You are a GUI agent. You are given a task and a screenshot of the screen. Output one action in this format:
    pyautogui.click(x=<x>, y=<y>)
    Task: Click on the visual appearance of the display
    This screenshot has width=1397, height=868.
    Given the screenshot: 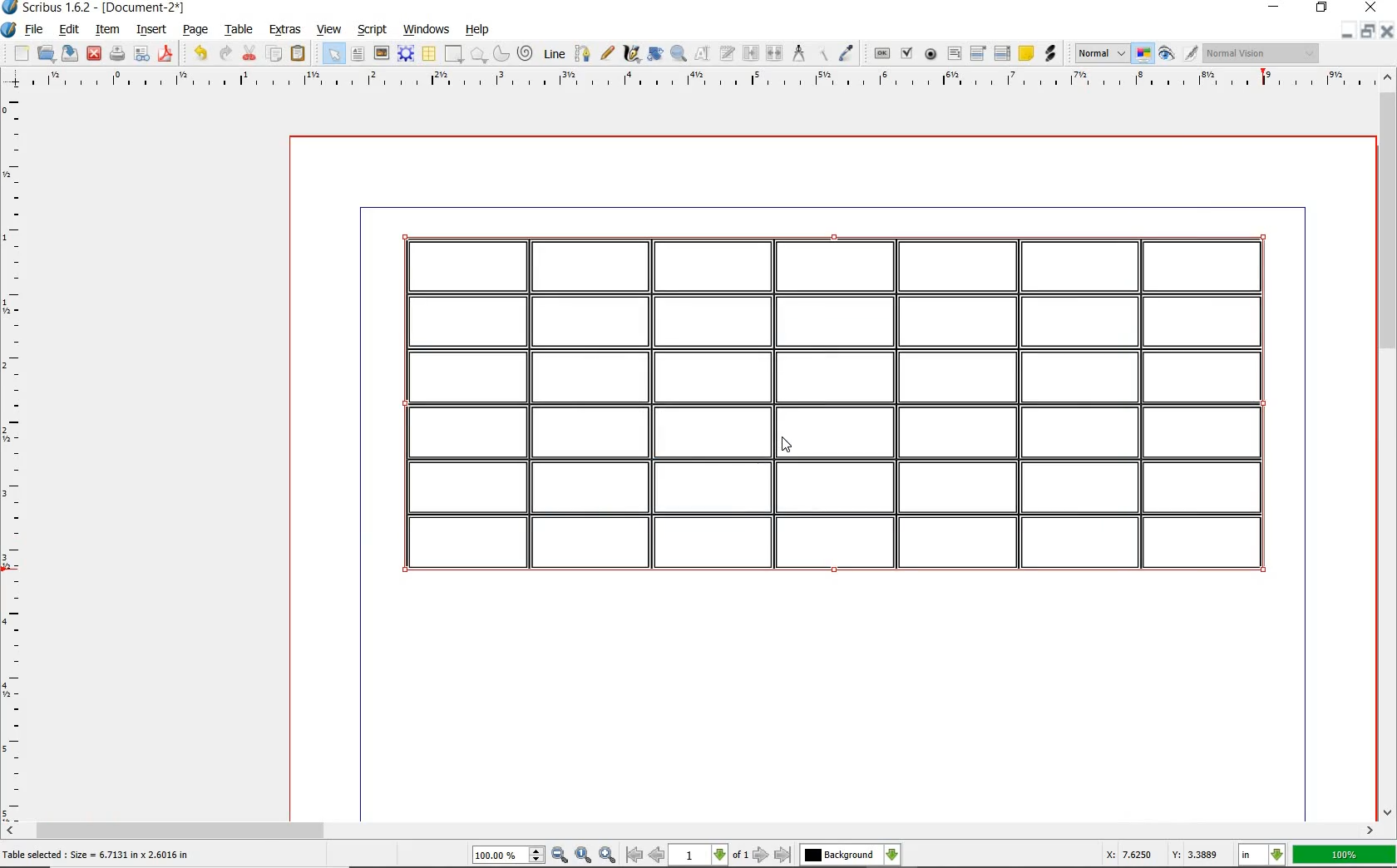 What is the action you would take?
    pyautogui.click(x=1264, y=52)
    